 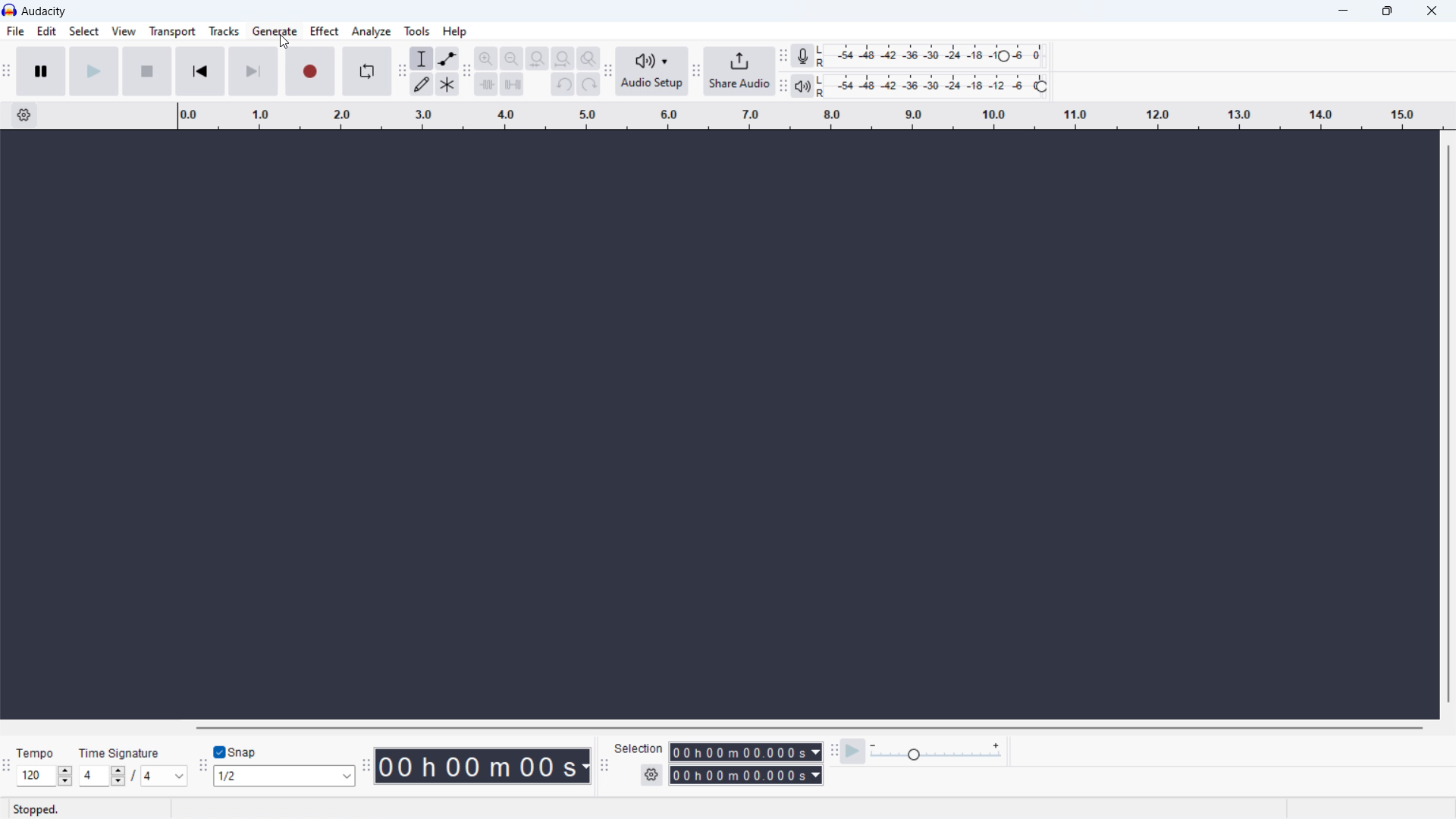 I want to click on select tempo, so click(x=44, y=776).